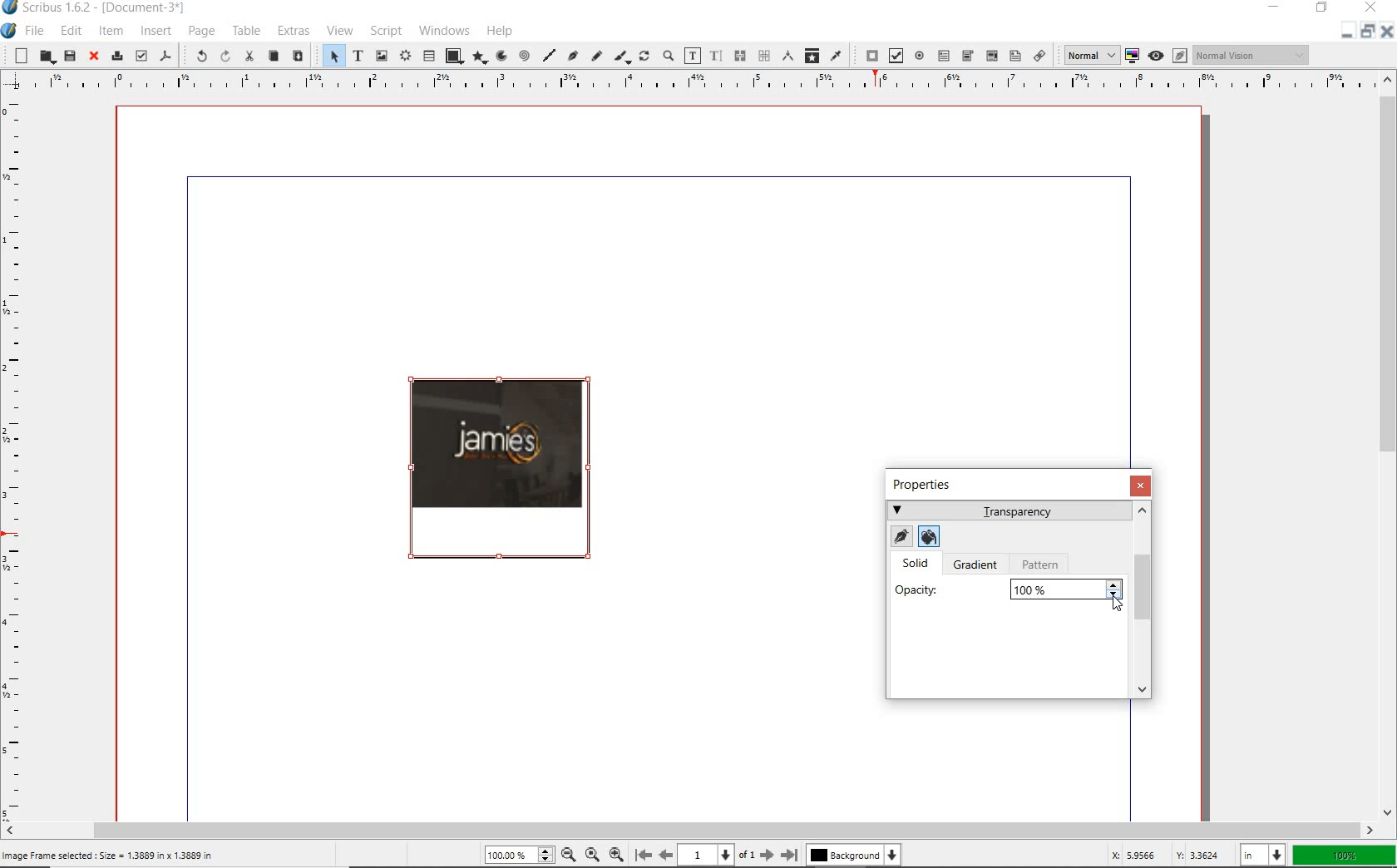  Describe the element at coordinates (689, 830) in the screenshot. I see `SCROLLBAR` at that location.